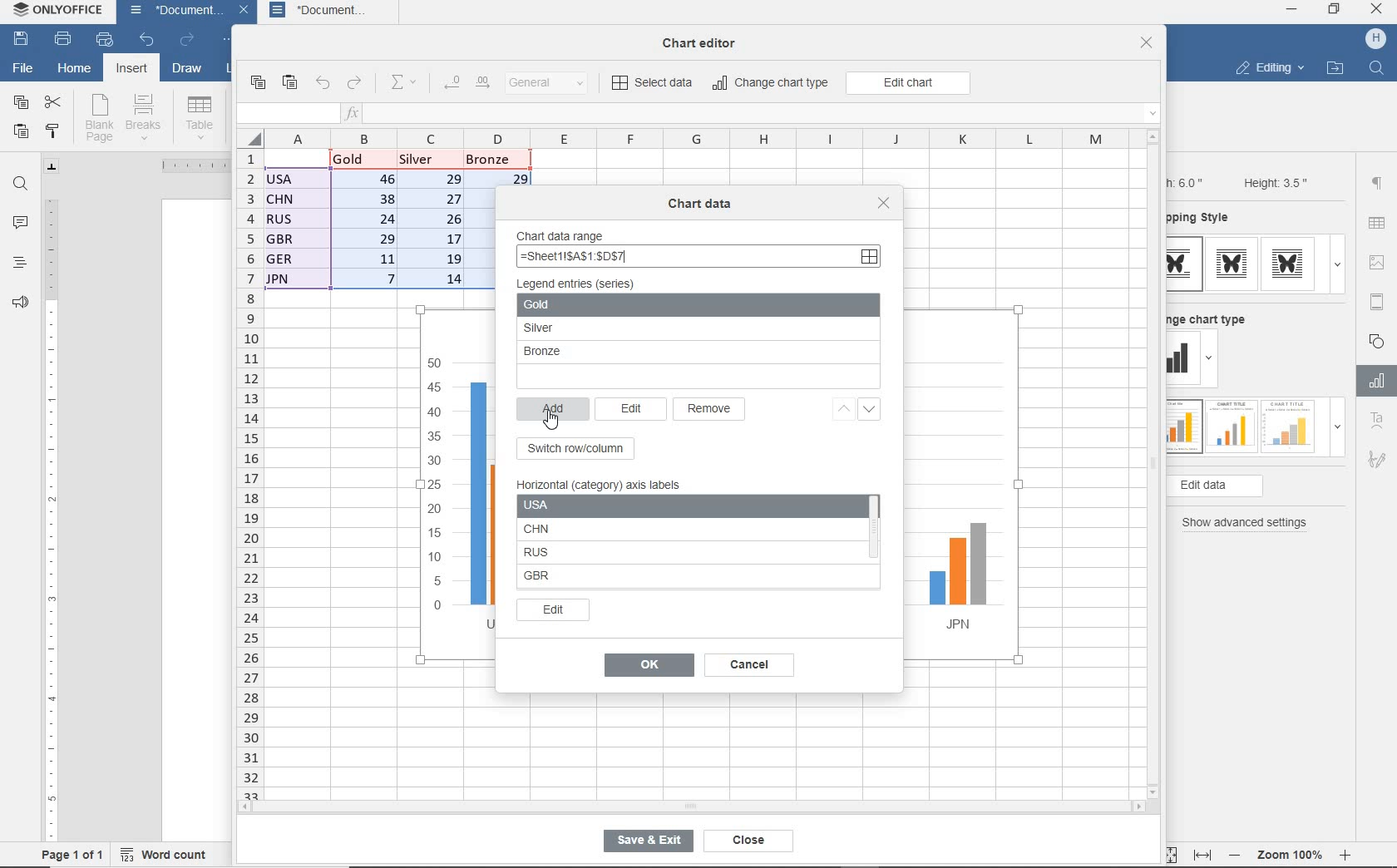  What do you see at coordinates (1335, 69) in the screenshot?
I see `open file location` at bounding box center [1335, 69].